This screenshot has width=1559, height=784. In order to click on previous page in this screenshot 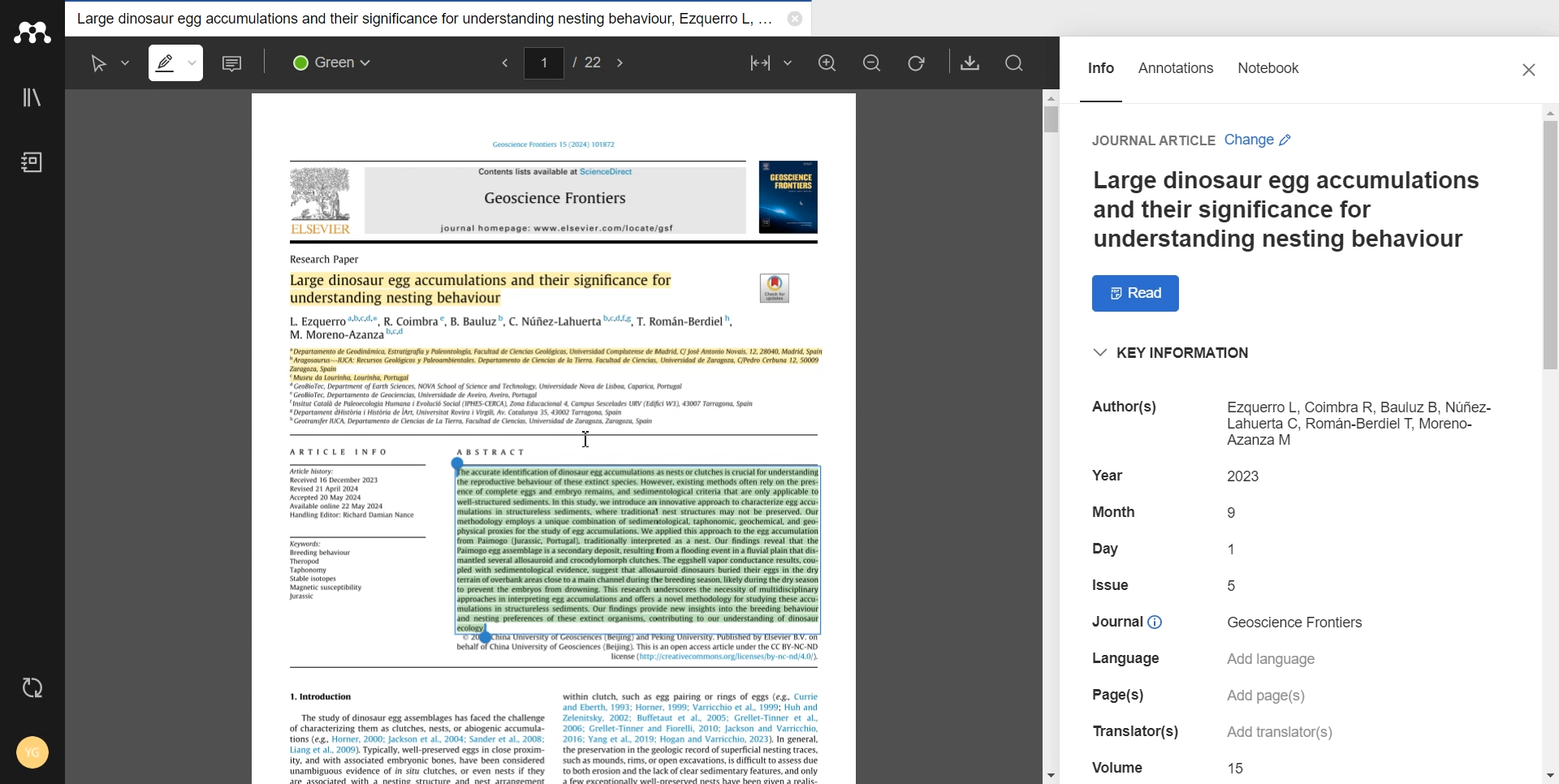, I will do `click(501, 64)`.